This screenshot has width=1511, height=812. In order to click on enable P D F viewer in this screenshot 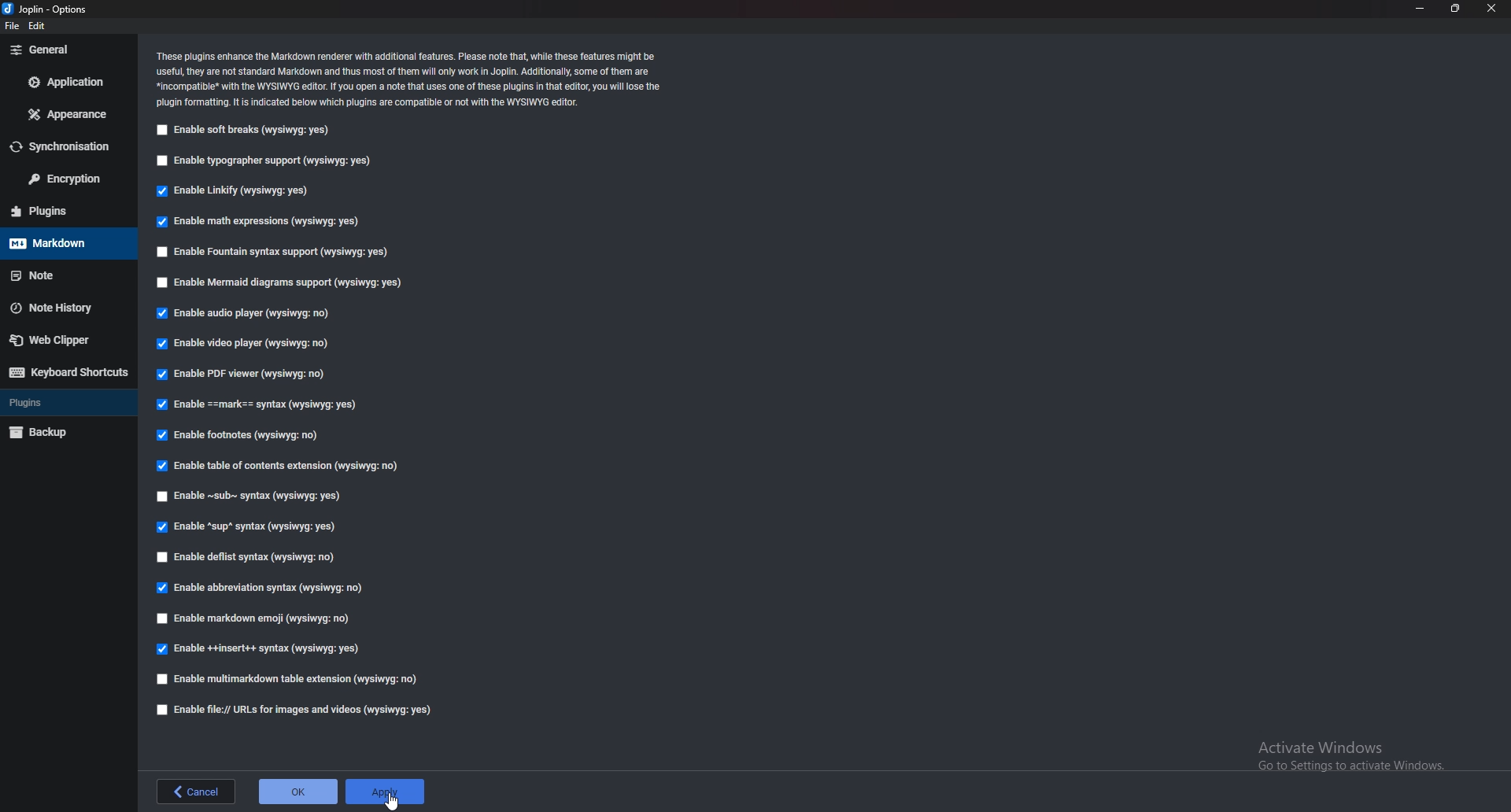, I will do `click(241, 372)`.